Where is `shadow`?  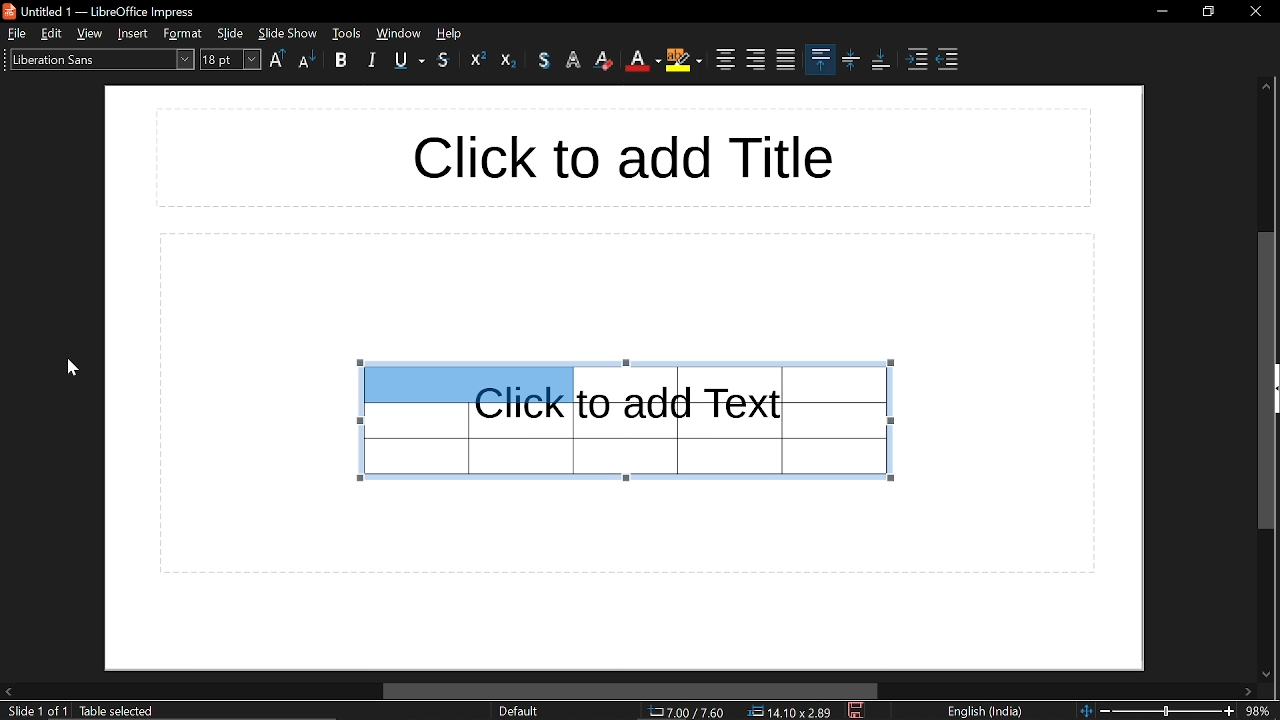
shadow is located at coordinates (544, 60).